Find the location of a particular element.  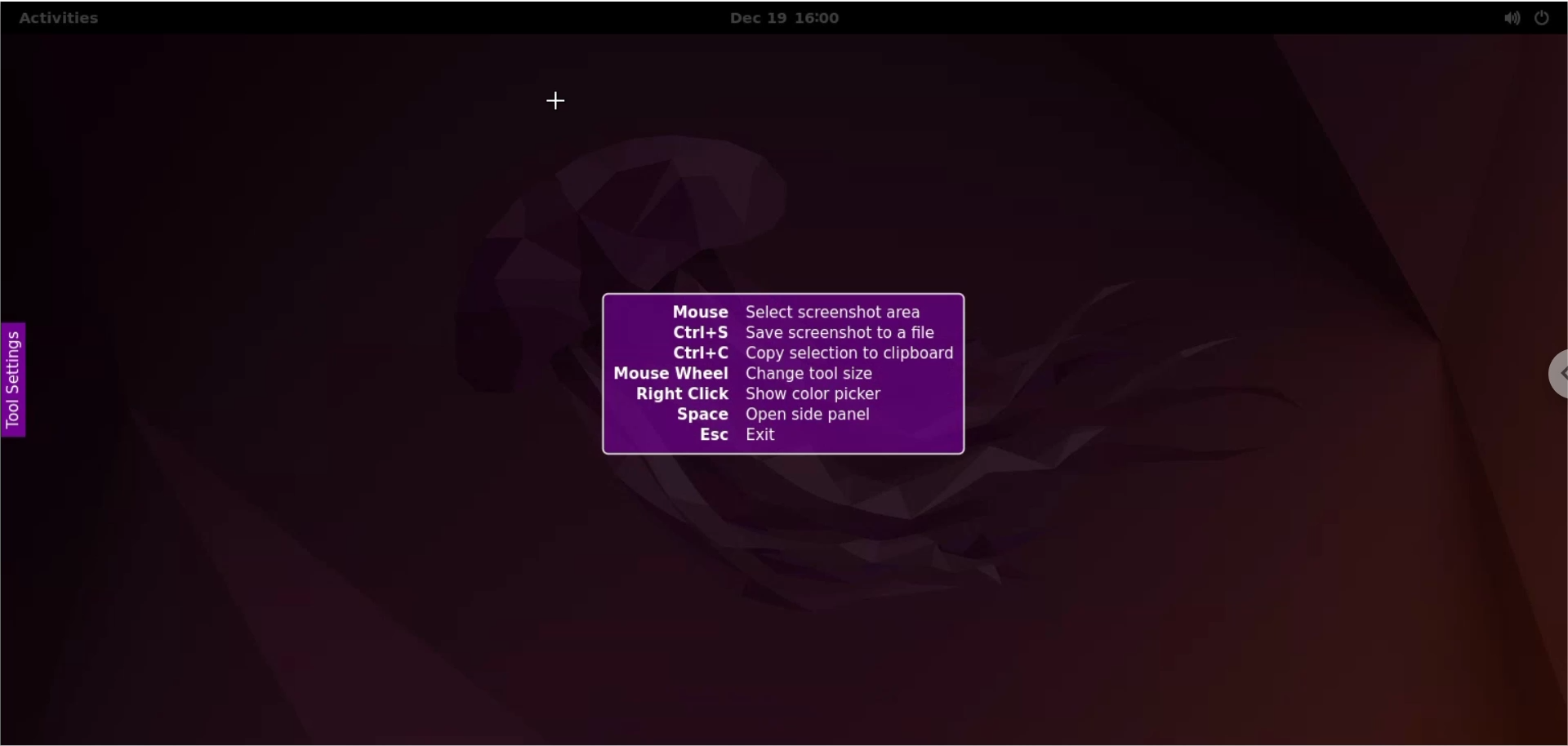

tool settings is located at coordinates (19, 380).